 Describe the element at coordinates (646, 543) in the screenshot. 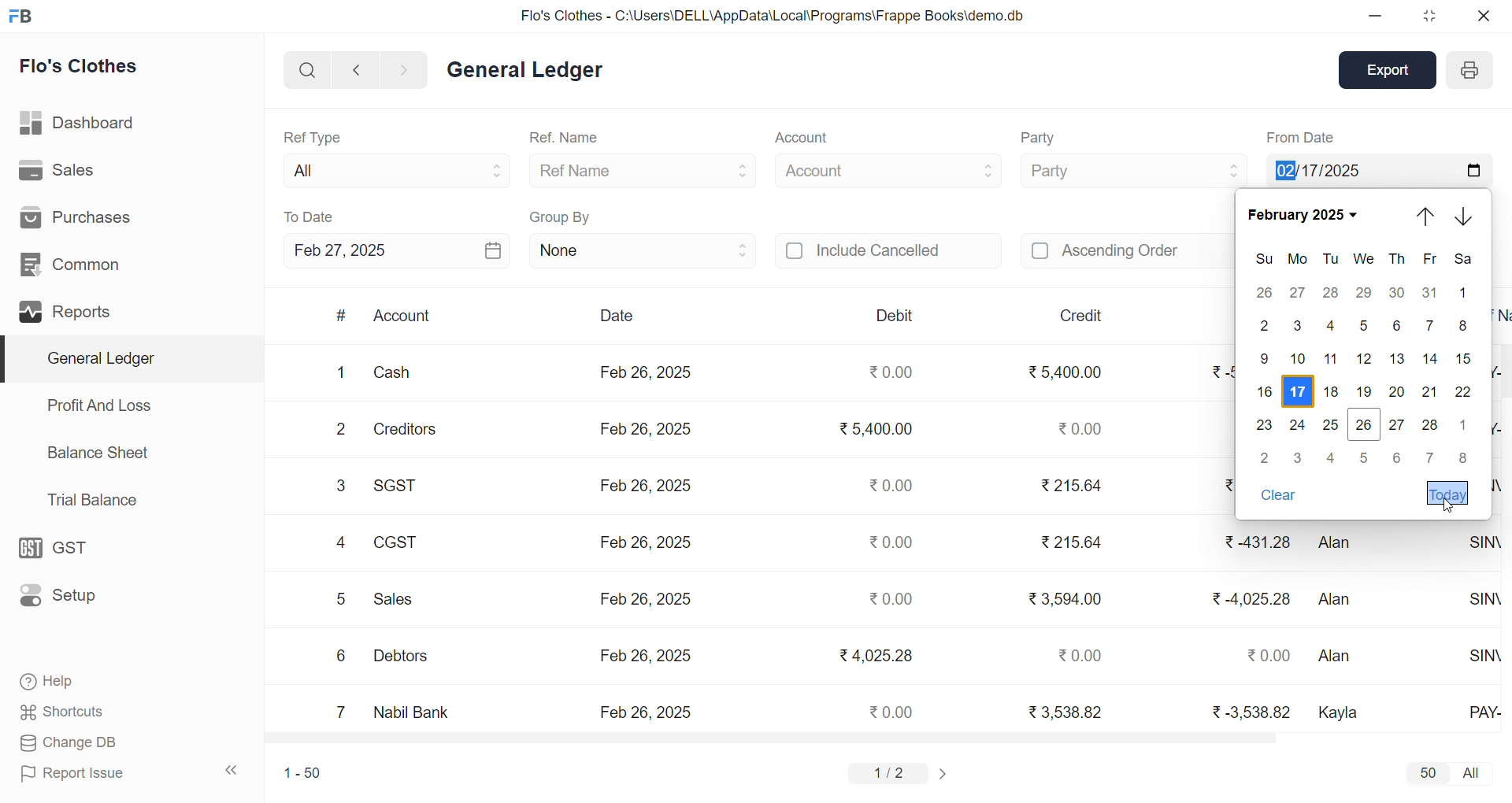

I see `Feb 26, 2025` at that location.